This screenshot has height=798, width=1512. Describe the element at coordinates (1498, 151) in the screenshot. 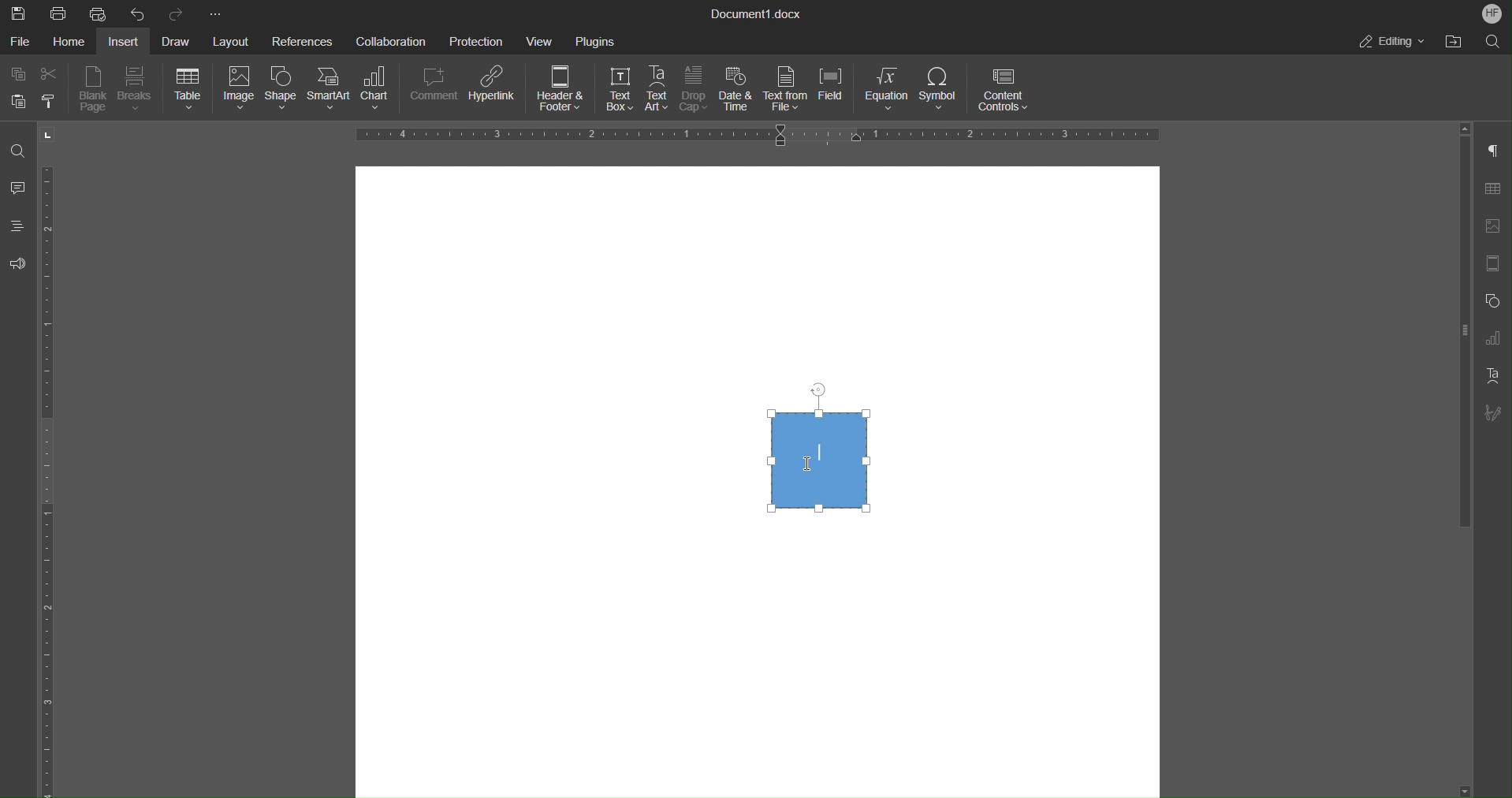

I see `Paragraph Settings` at that location.